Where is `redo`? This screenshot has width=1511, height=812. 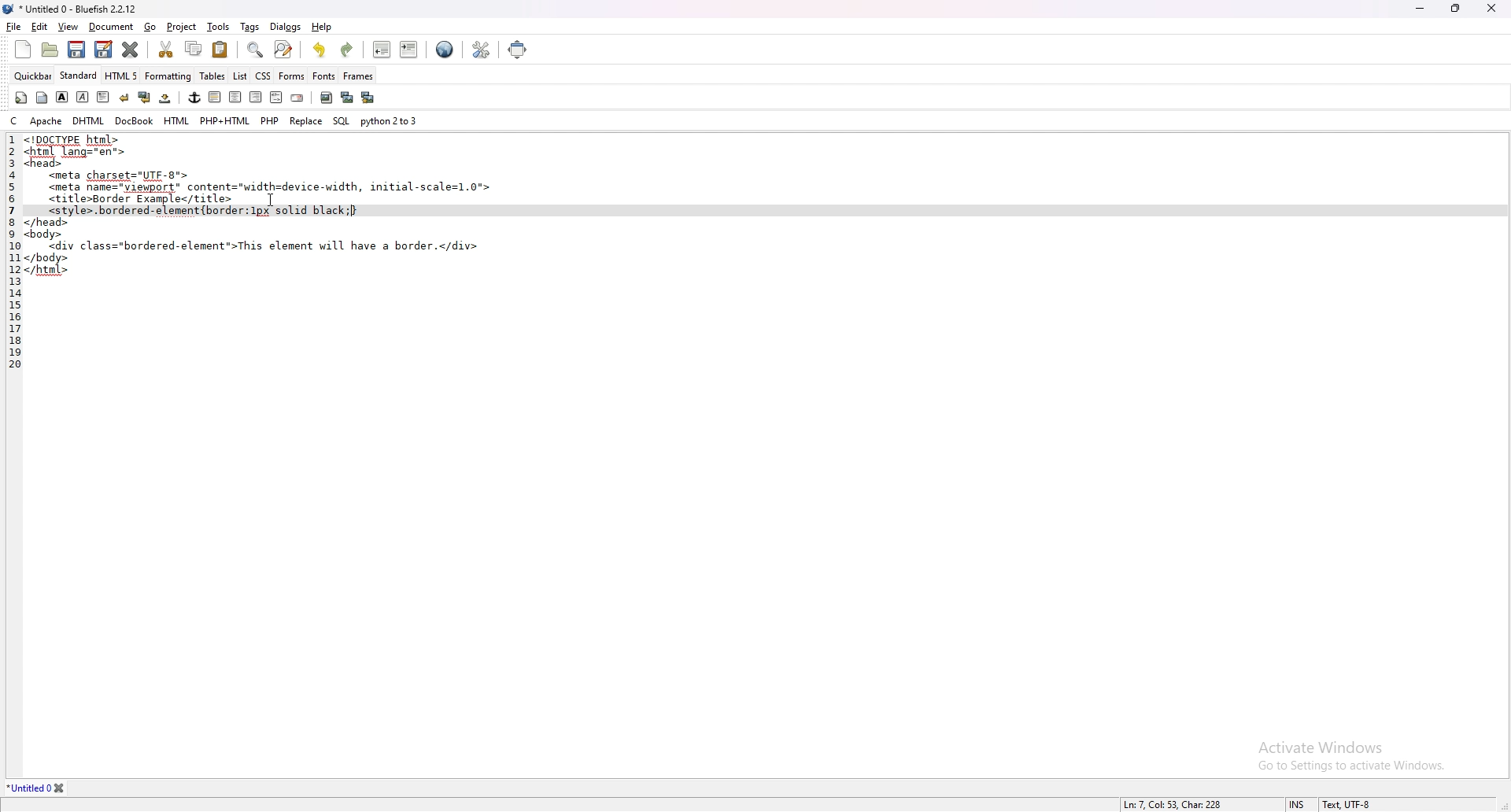
redo is located at coordinates (345, 50).